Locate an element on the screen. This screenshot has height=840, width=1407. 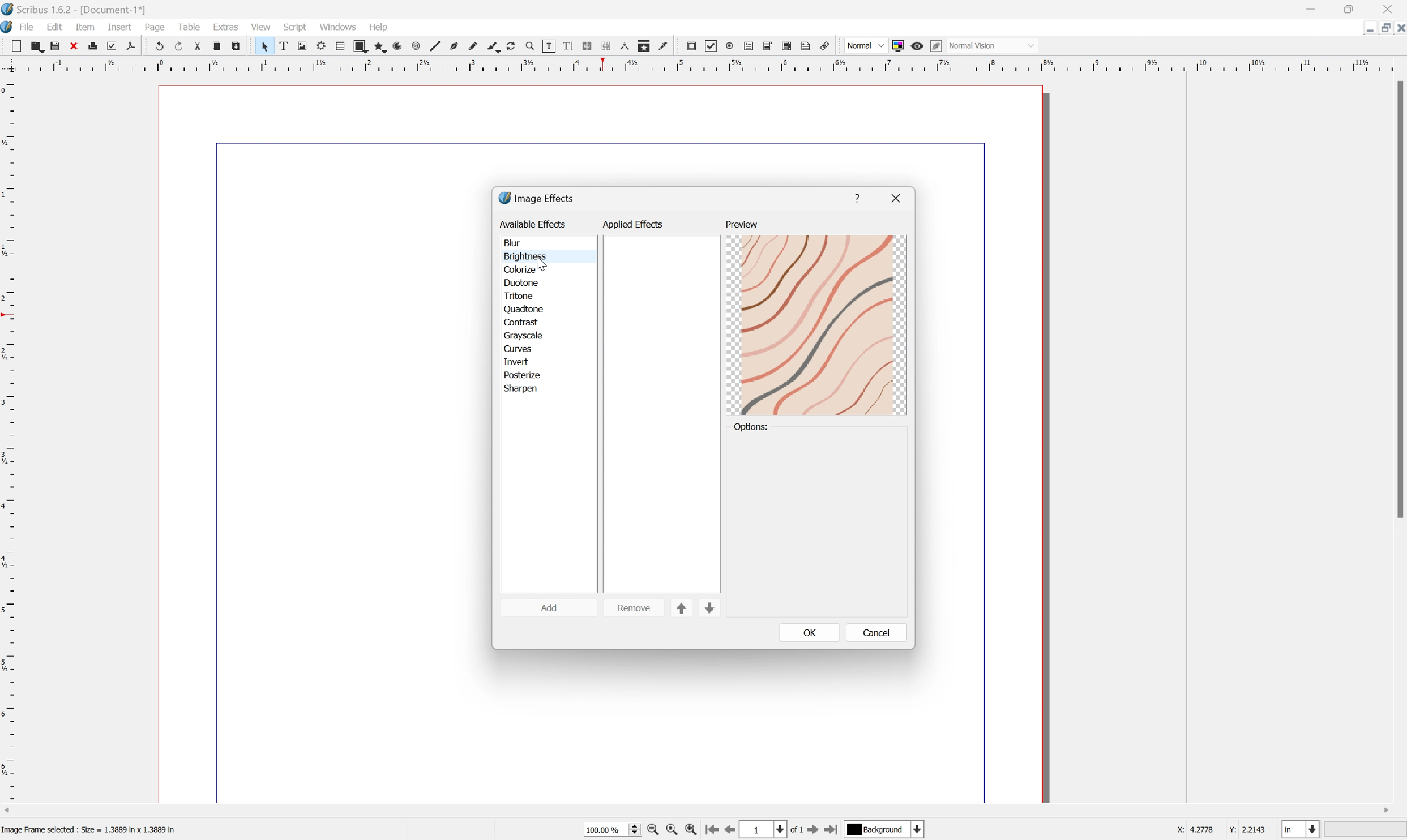
Cursor Position is located at coordinates (542, 264).